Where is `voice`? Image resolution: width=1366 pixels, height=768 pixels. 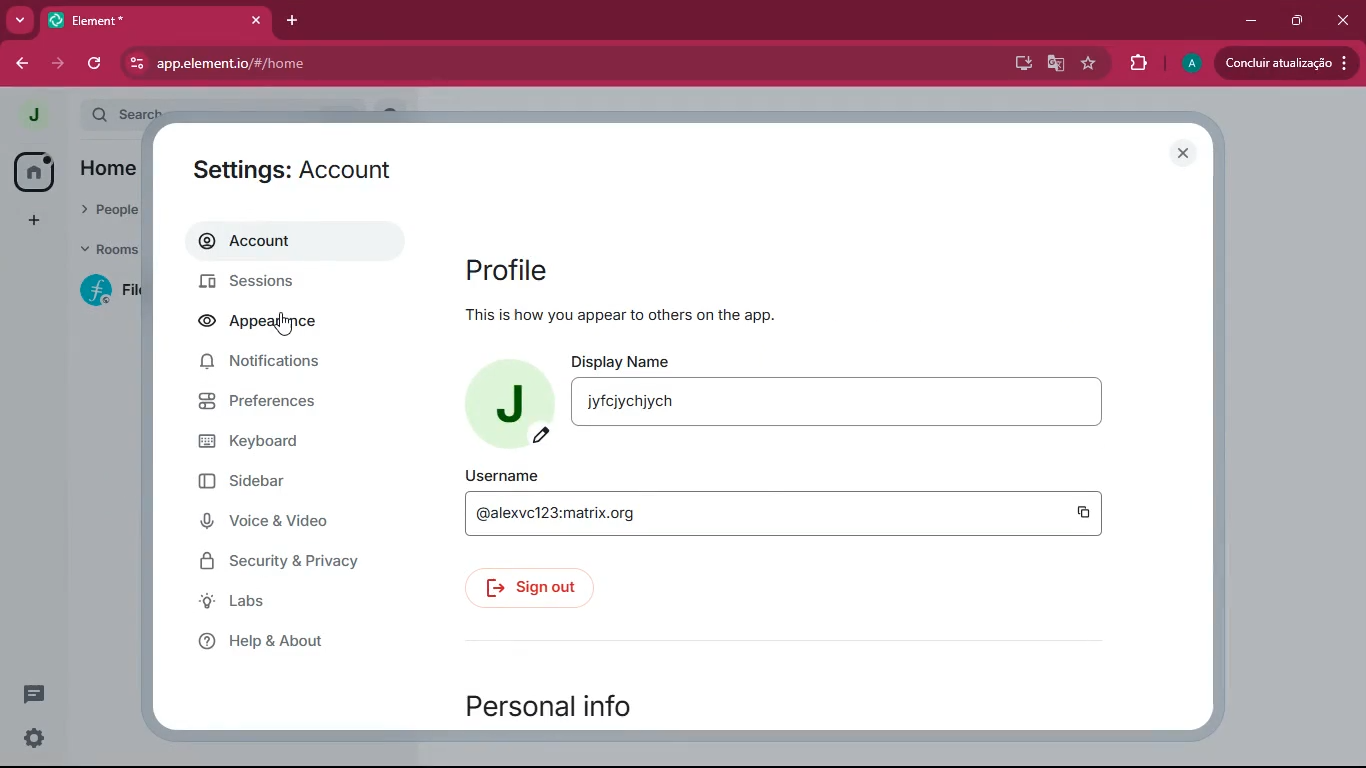
voice is located at coordinates (286, 524).